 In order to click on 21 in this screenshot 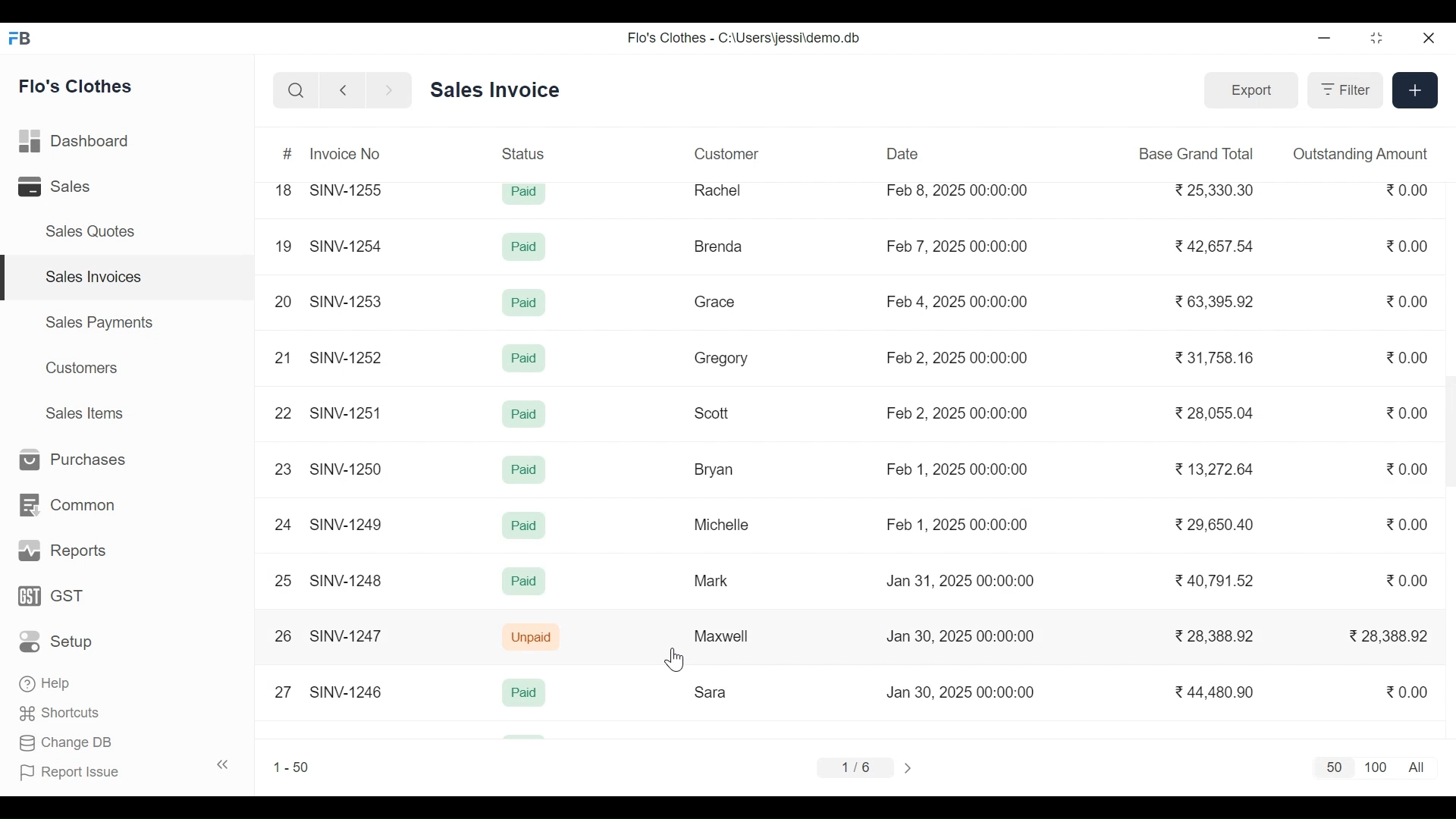, I will do `click(282, 357)`.